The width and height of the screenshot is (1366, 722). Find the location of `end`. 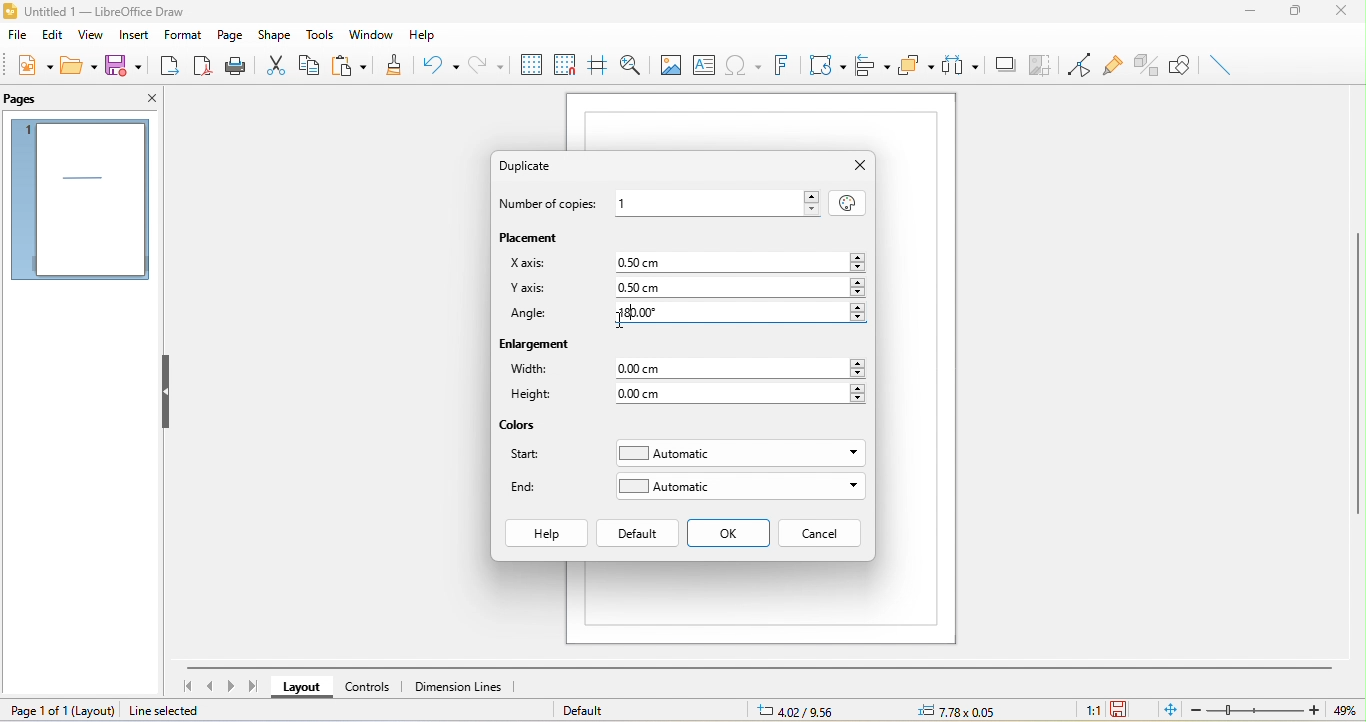

end is located at coordinates (529, 487).